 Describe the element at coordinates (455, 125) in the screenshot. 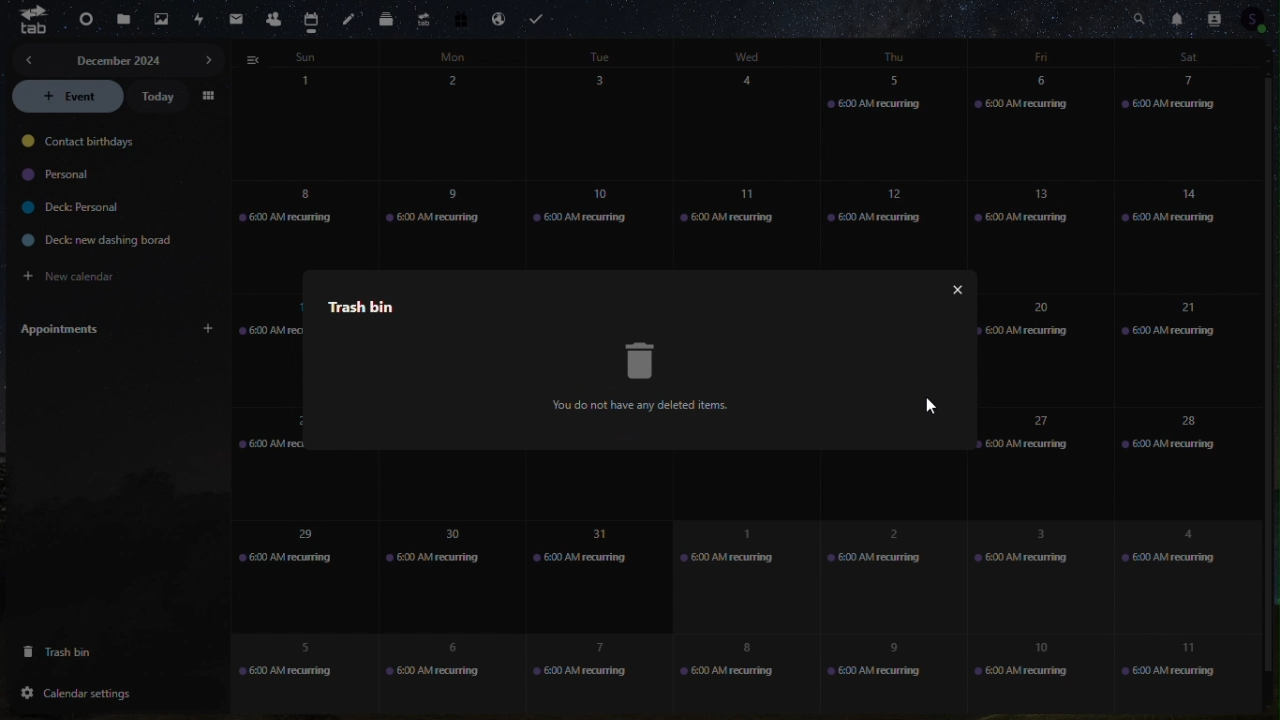

I see `2` at that location.